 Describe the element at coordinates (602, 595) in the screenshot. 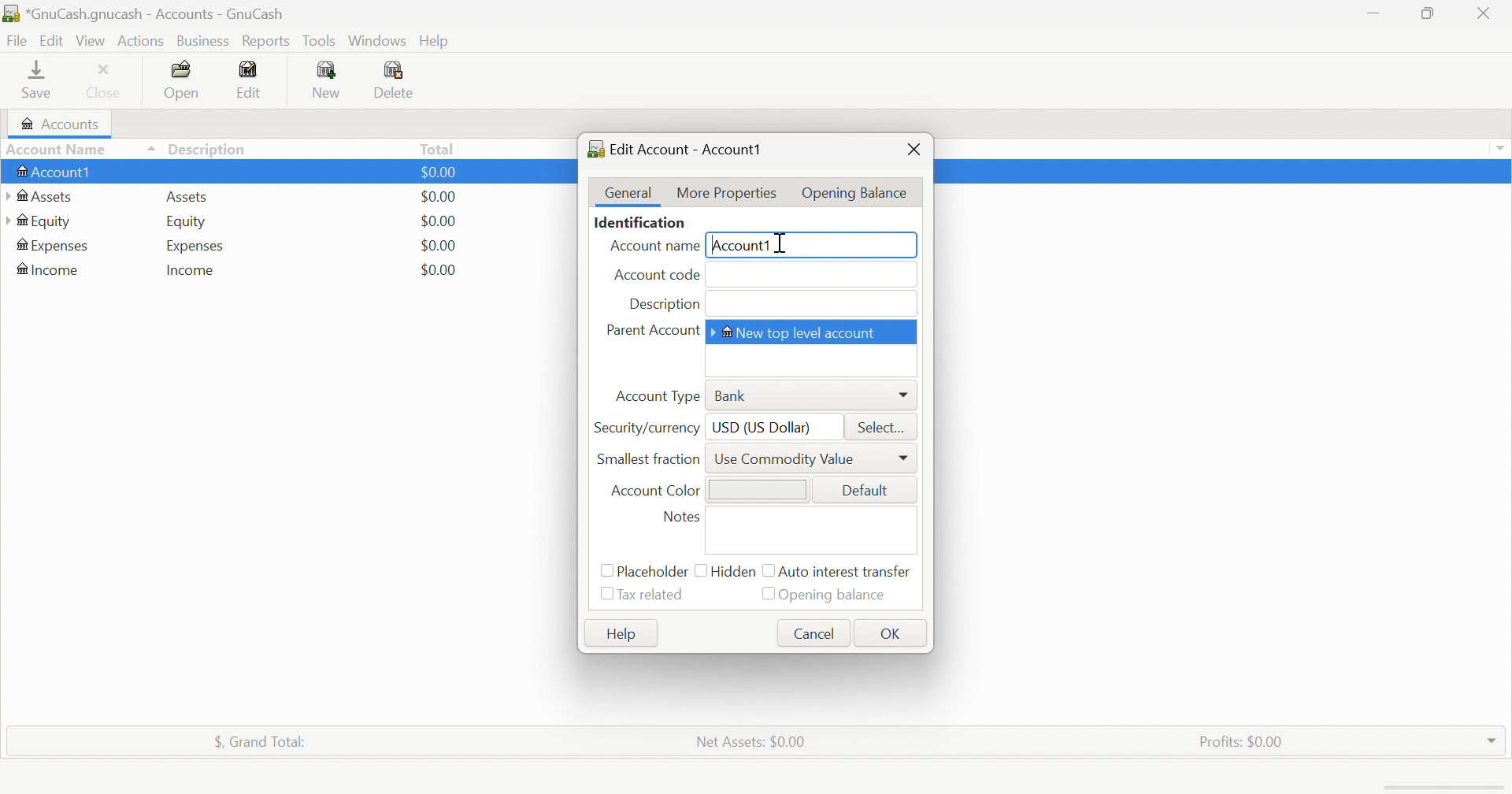

I see `Checkbox` at that location.